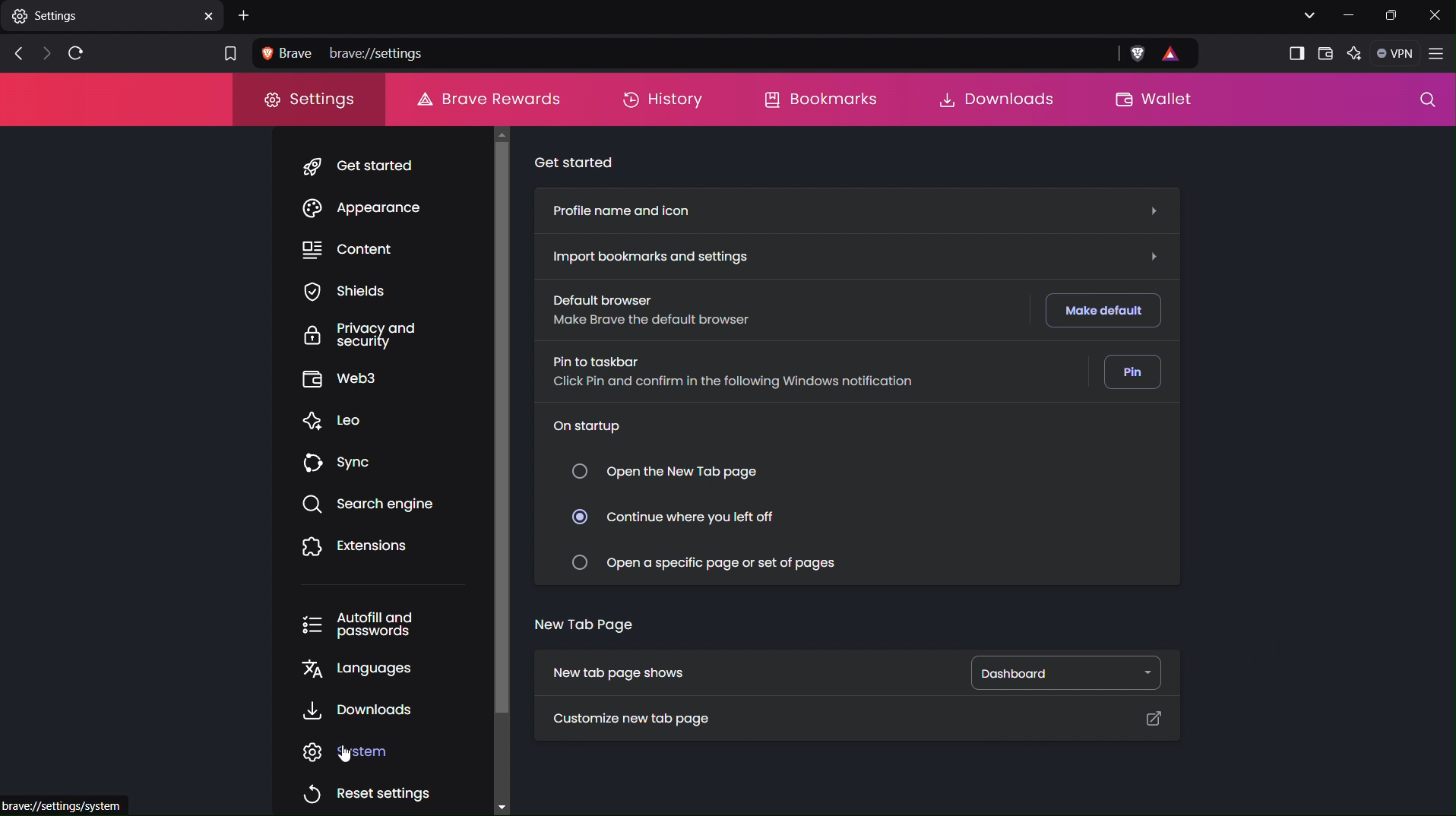 This screenshot has height=816, width=1456. I want to click on Dashboard, so click(1057, 672).